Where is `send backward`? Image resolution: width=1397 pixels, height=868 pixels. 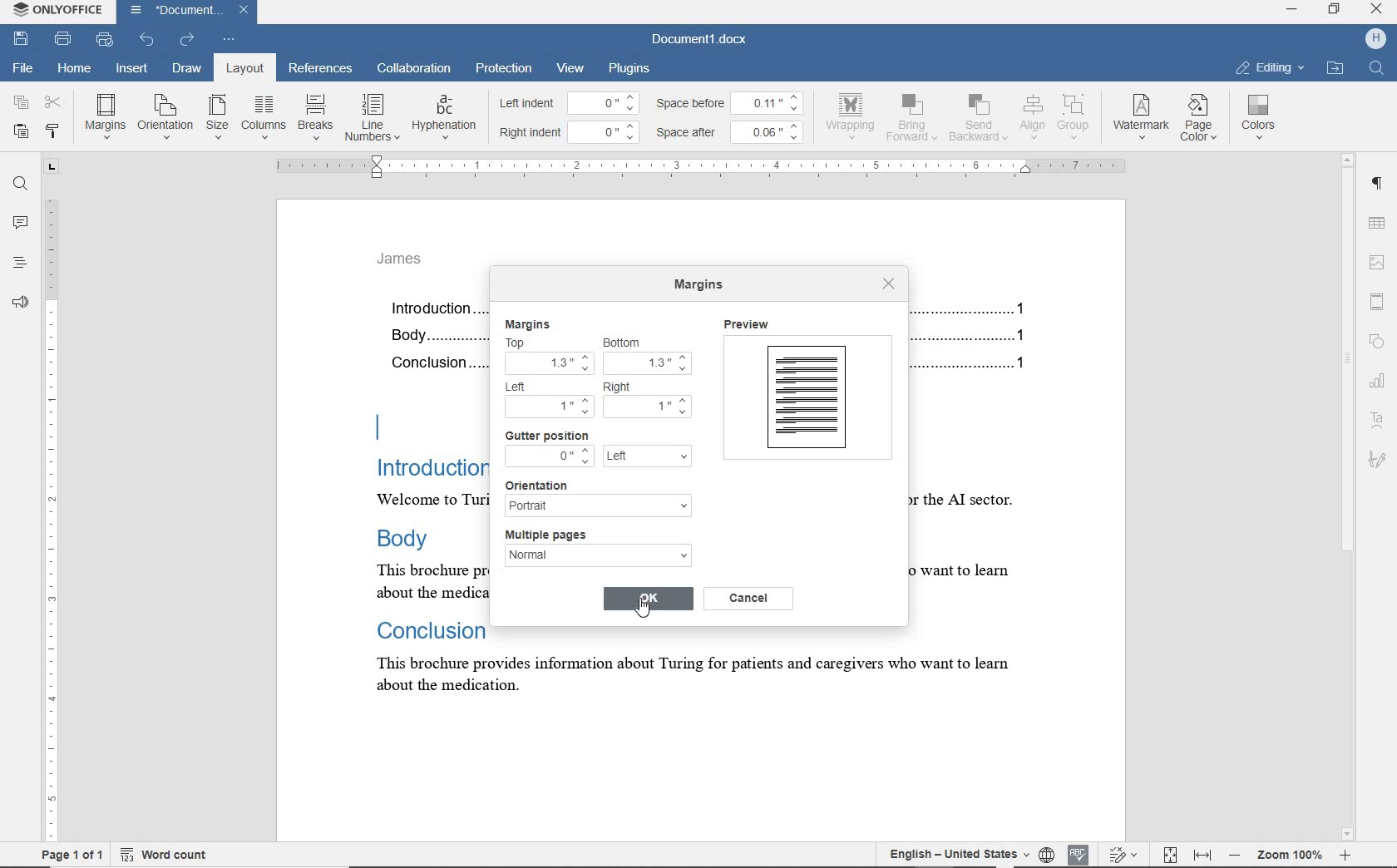
send backward is located at coordinates (978, 120).